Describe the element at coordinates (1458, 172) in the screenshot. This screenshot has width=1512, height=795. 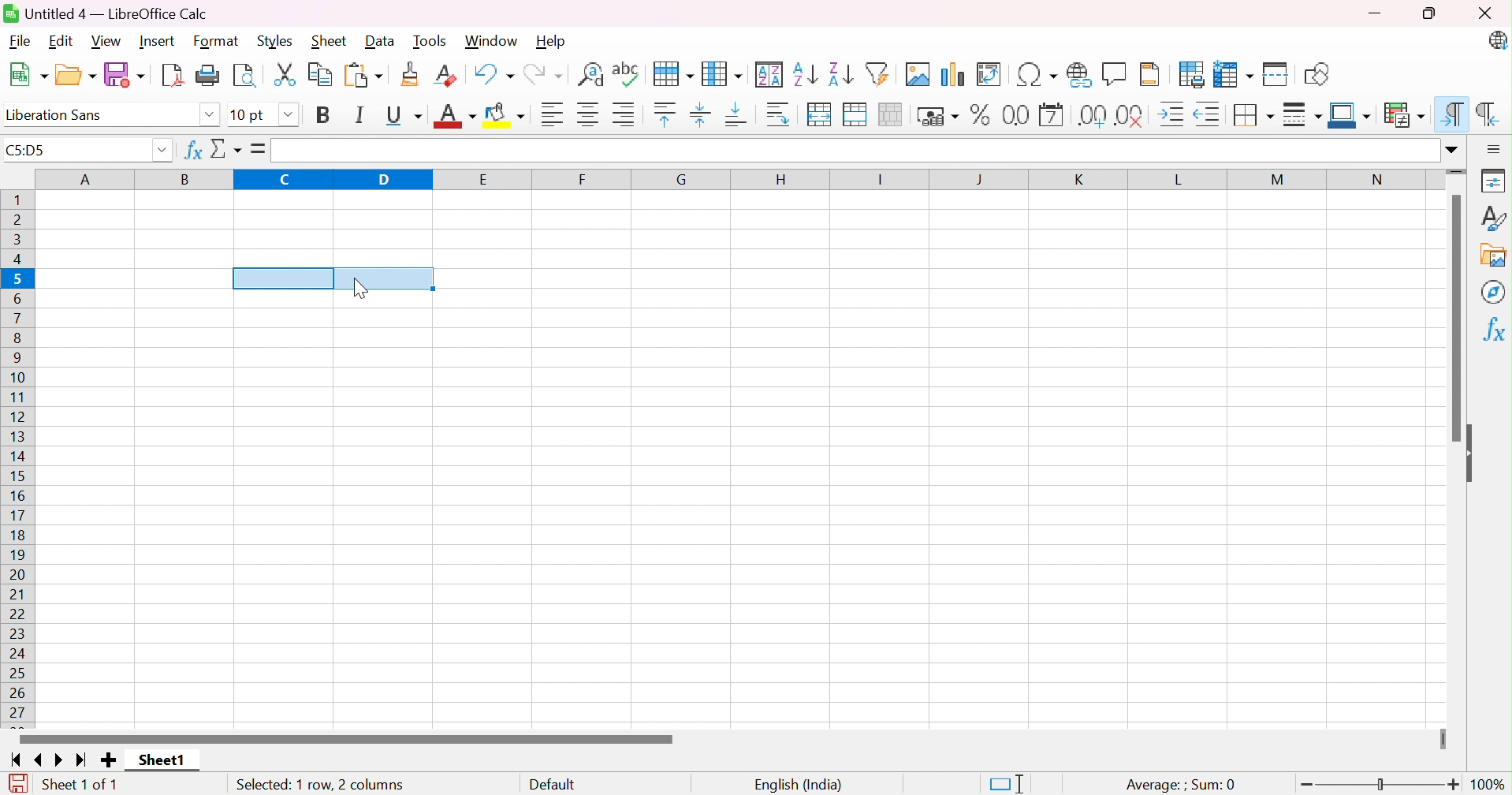
I see `Slider` at that location.